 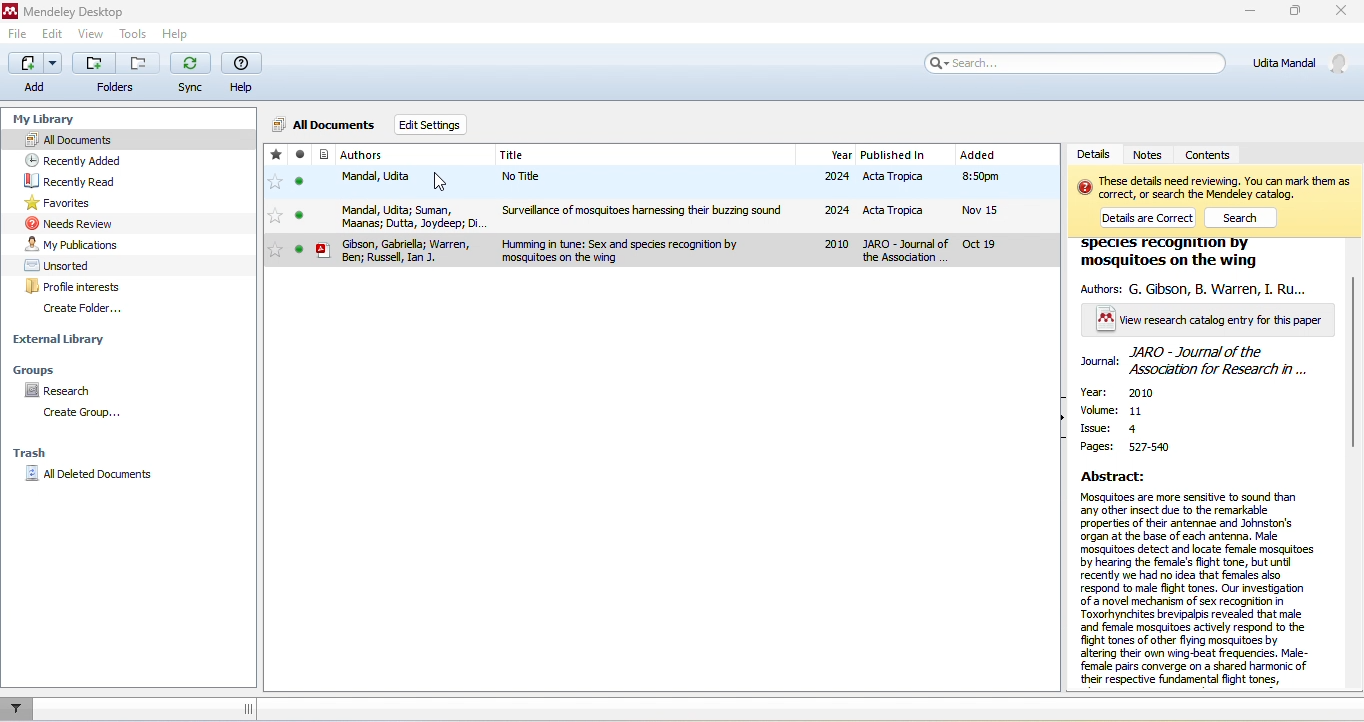 I want to click on mandal,udita, suman,maanas,dutta,joydeep, so click(x=390, y=215).